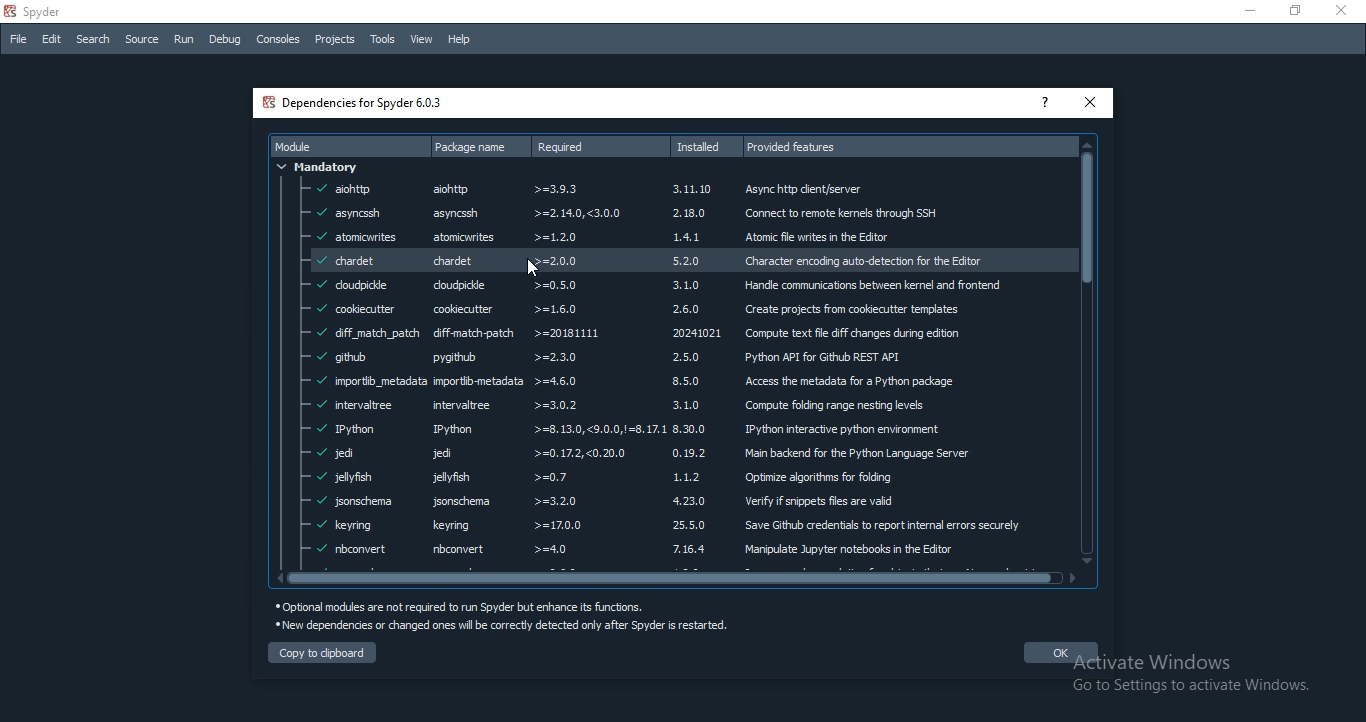 This screenshot has height=722, width=1366. What do you see at coordinates (1044, 101) in the screenshot?
I see `help` at bounding box center [1044, 101].